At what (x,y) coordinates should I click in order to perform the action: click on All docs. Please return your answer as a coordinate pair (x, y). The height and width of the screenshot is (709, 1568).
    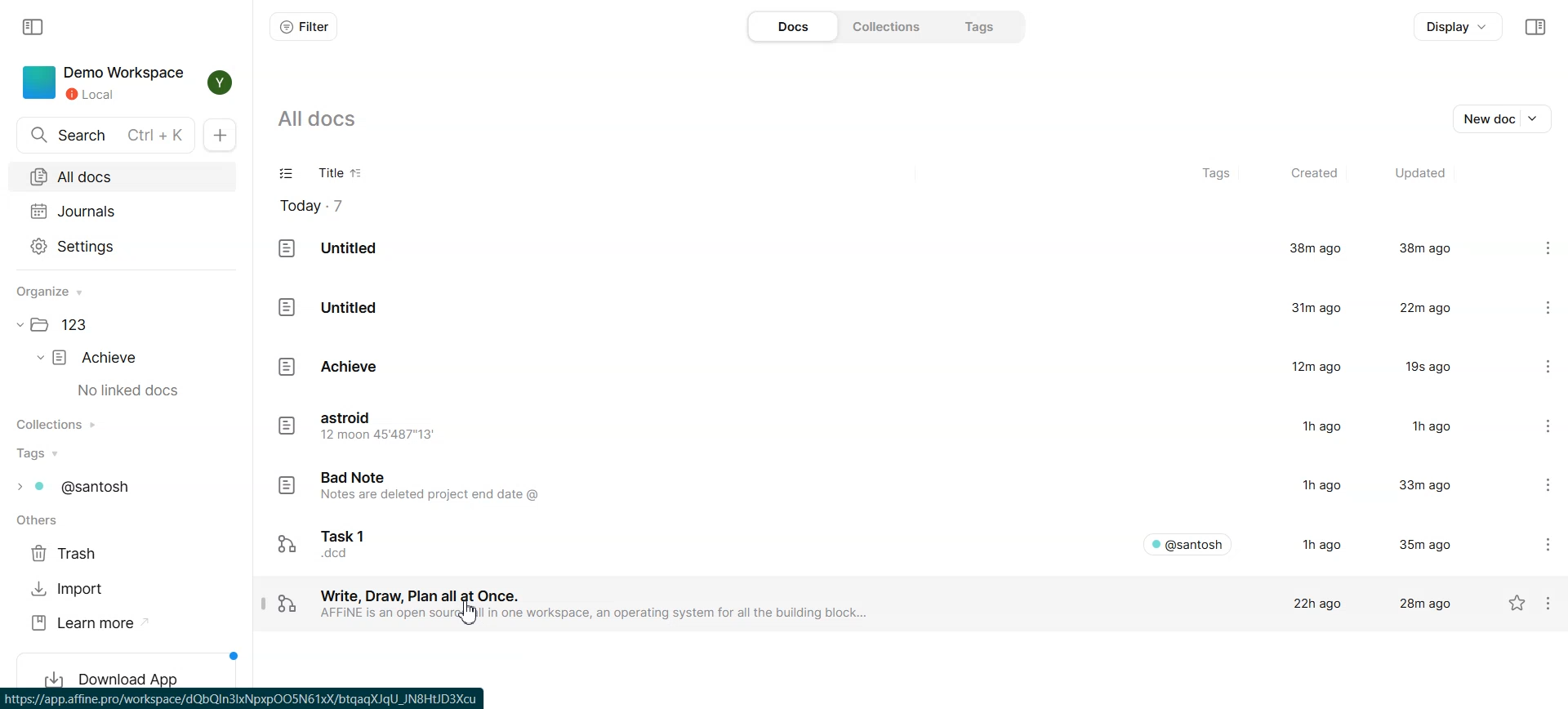
    Looking at the image, I should click on (122, 176).